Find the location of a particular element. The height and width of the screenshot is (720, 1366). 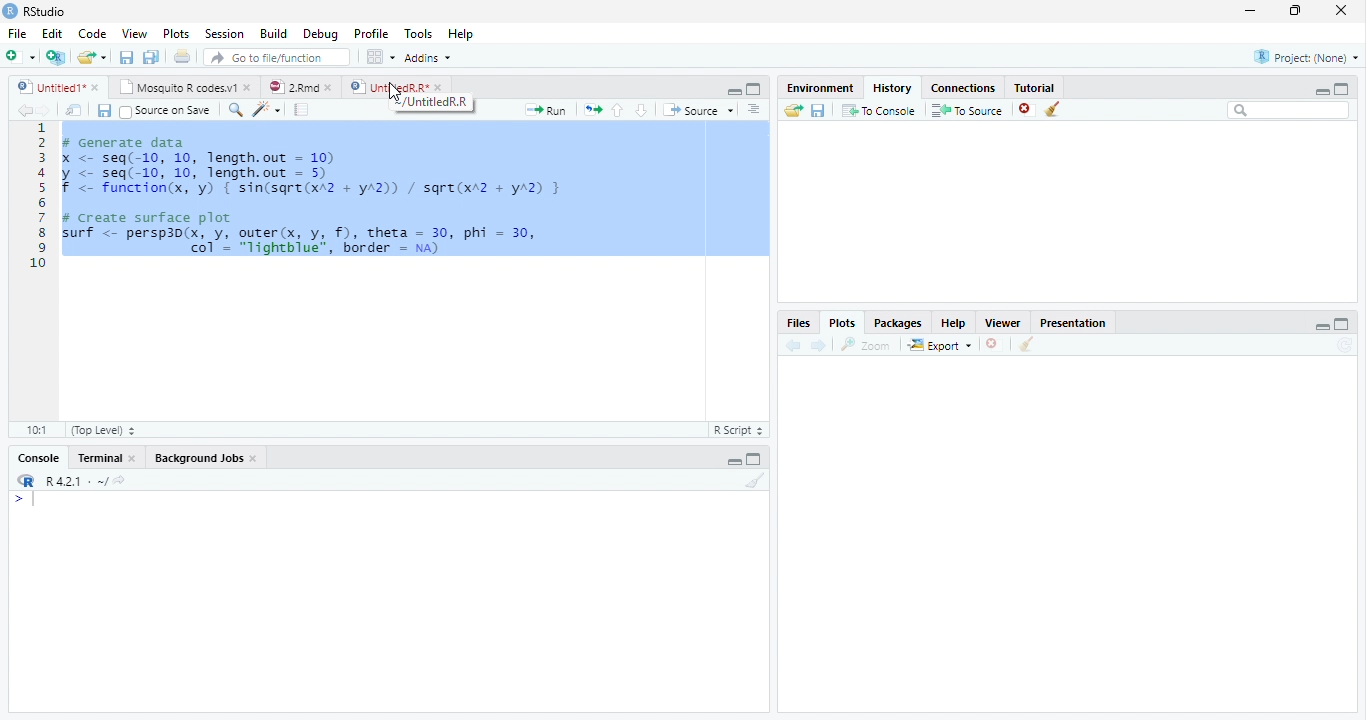

close is located at coordinates (329, 88).